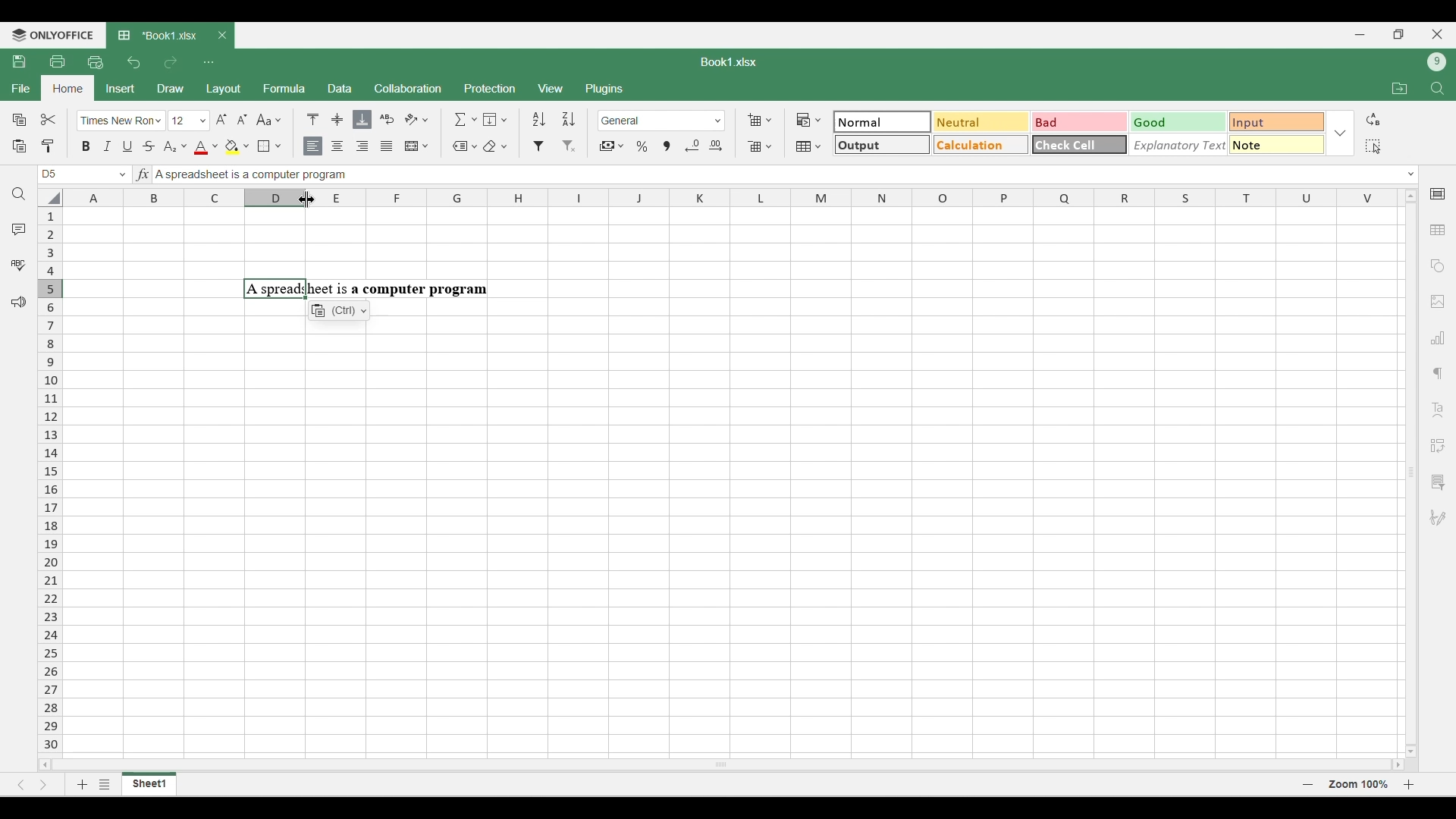 The image size is (1456, 819). What do you see at coordinates (51, 482) in the screenshot?
I see `Vertical marker` at bounding box center [51, 482].